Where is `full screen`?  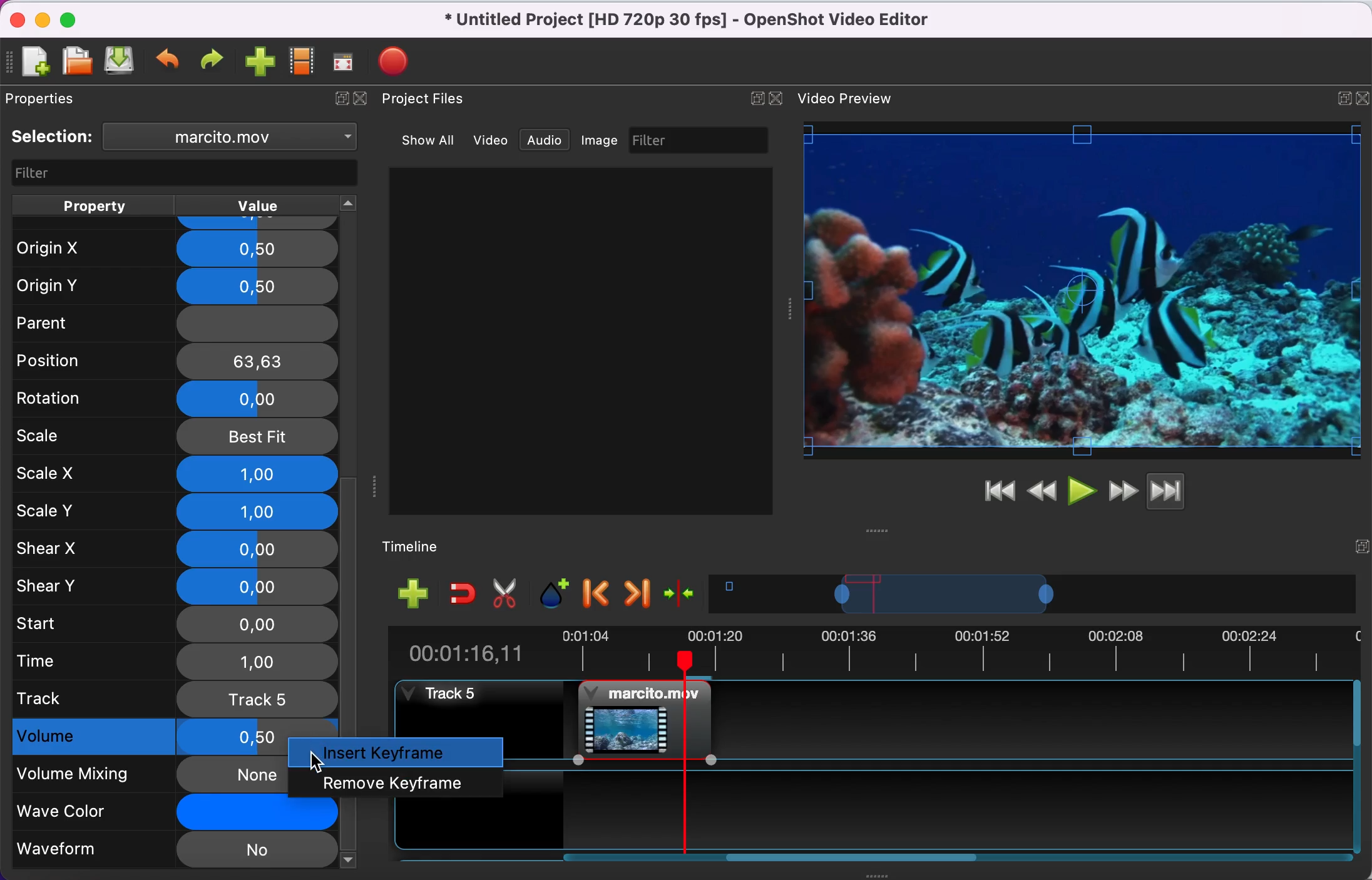
full screen is located at coordinates (347, 62).